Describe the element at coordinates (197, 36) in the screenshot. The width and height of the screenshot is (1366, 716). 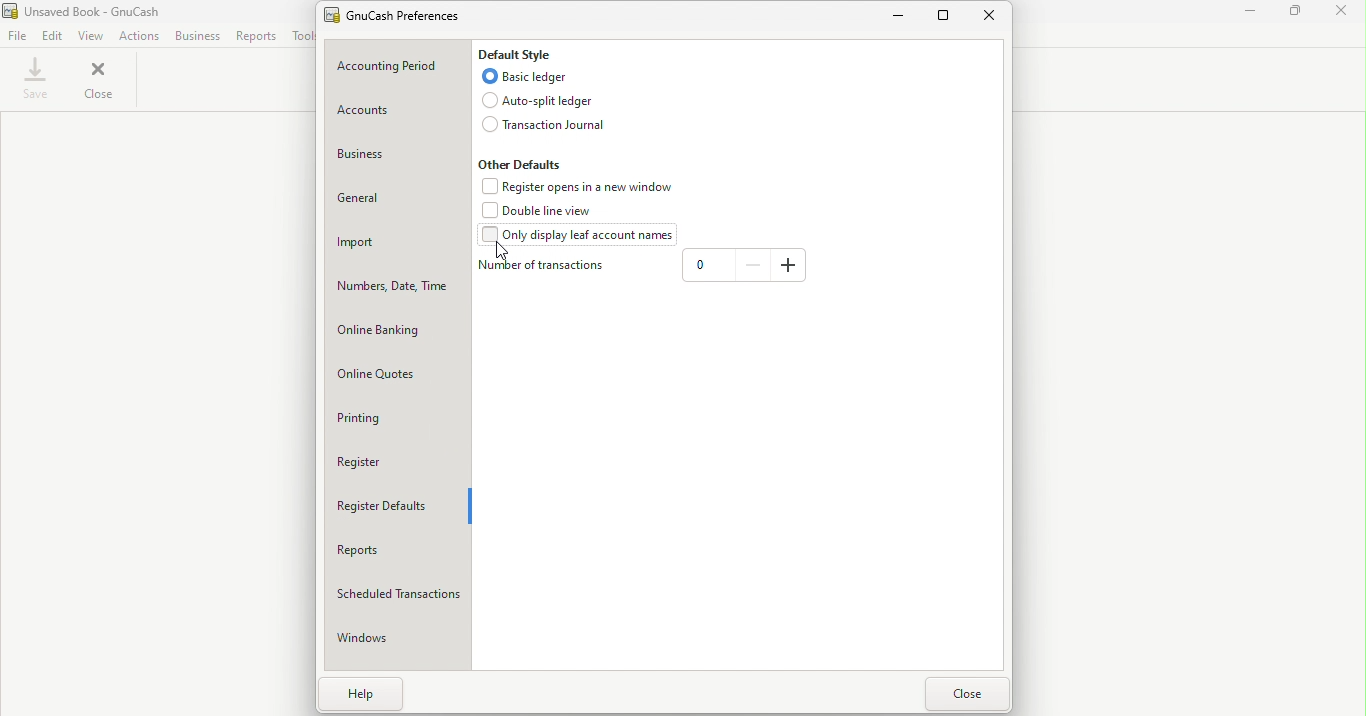
I see `Business` at that location.